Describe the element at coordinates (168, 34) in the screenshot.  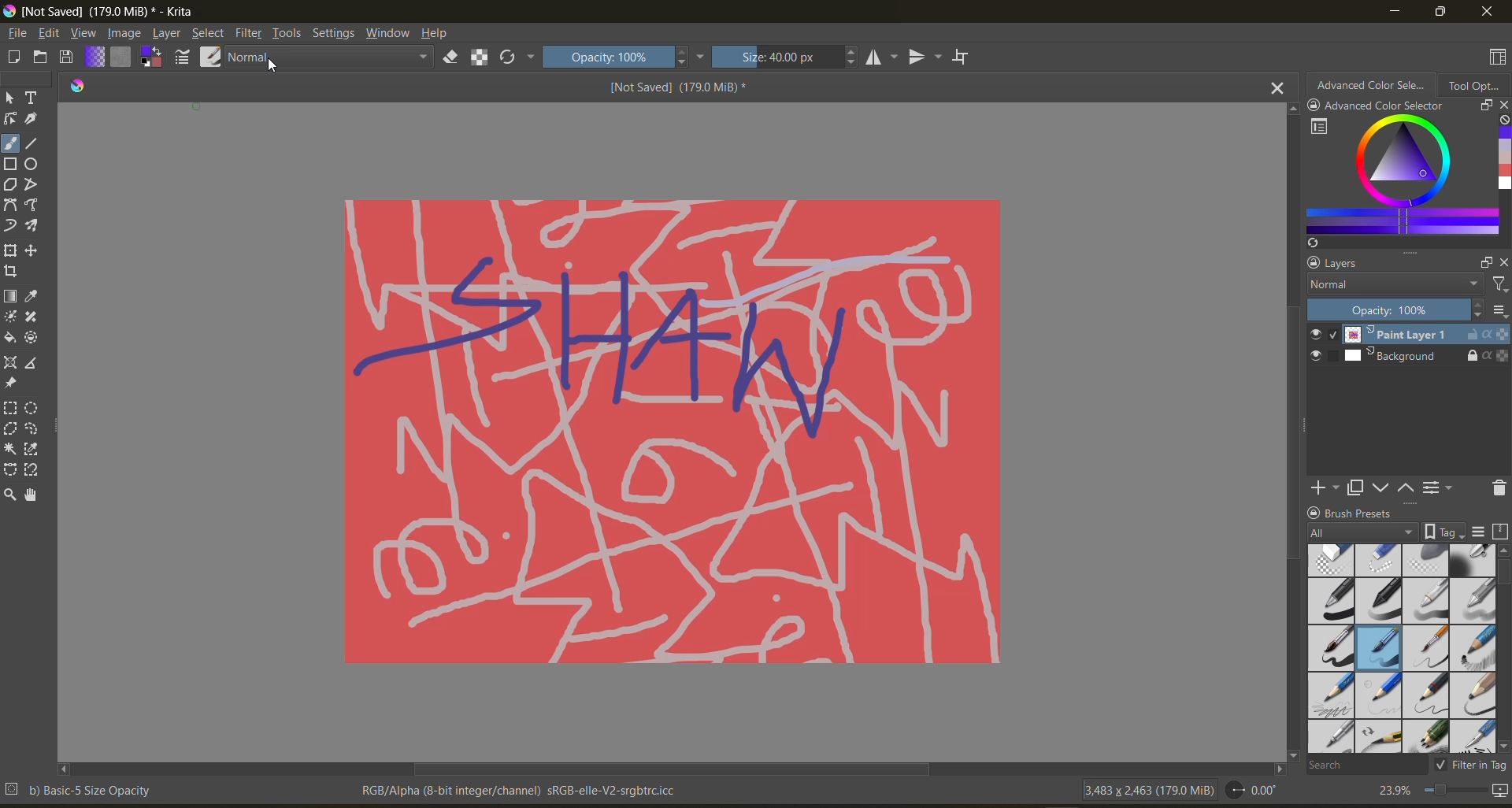
I see `layer` at that location.